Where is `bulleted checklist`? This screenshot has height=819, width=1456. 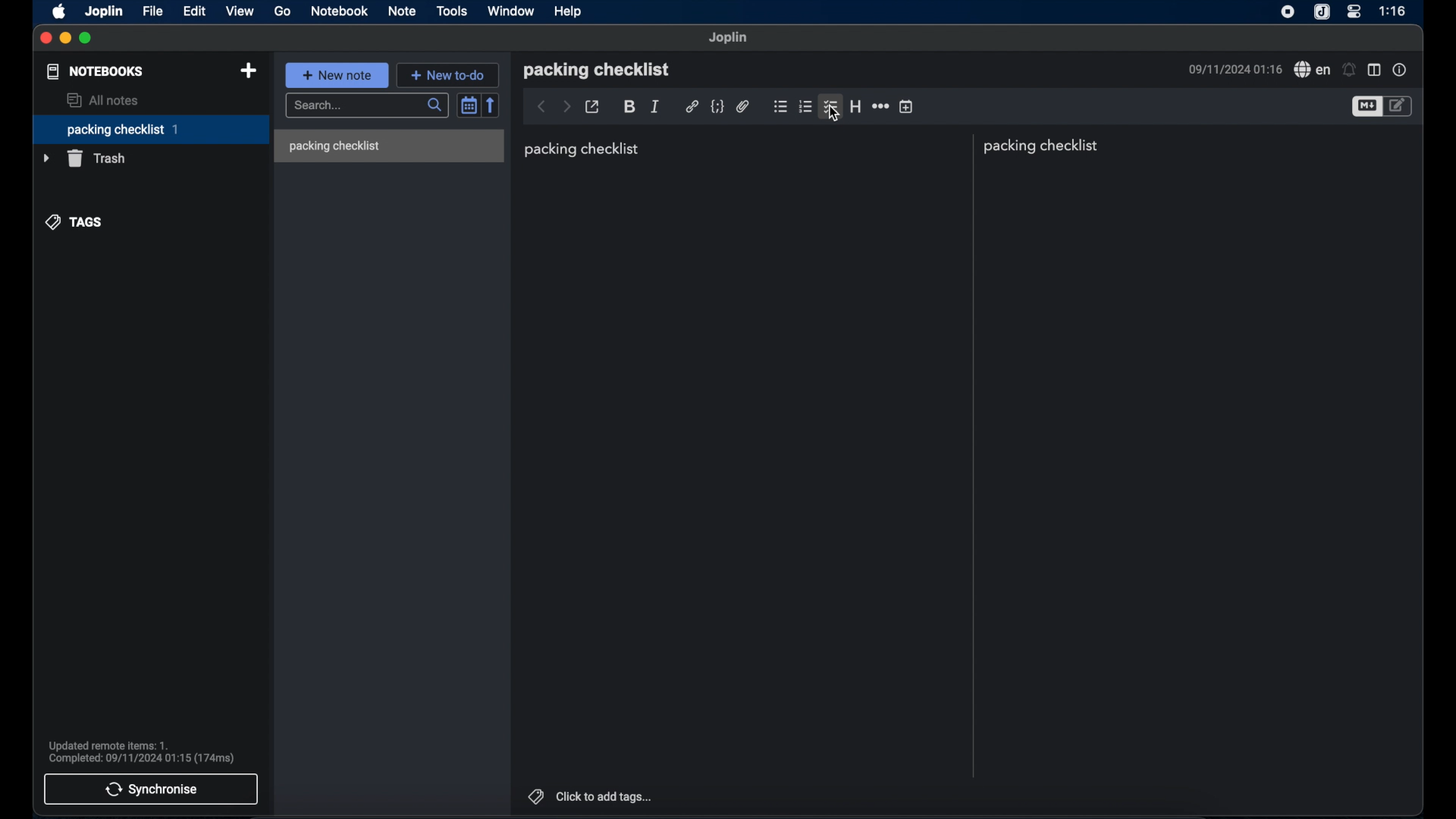
bulleted checklist is located at coordinates (780, 108).